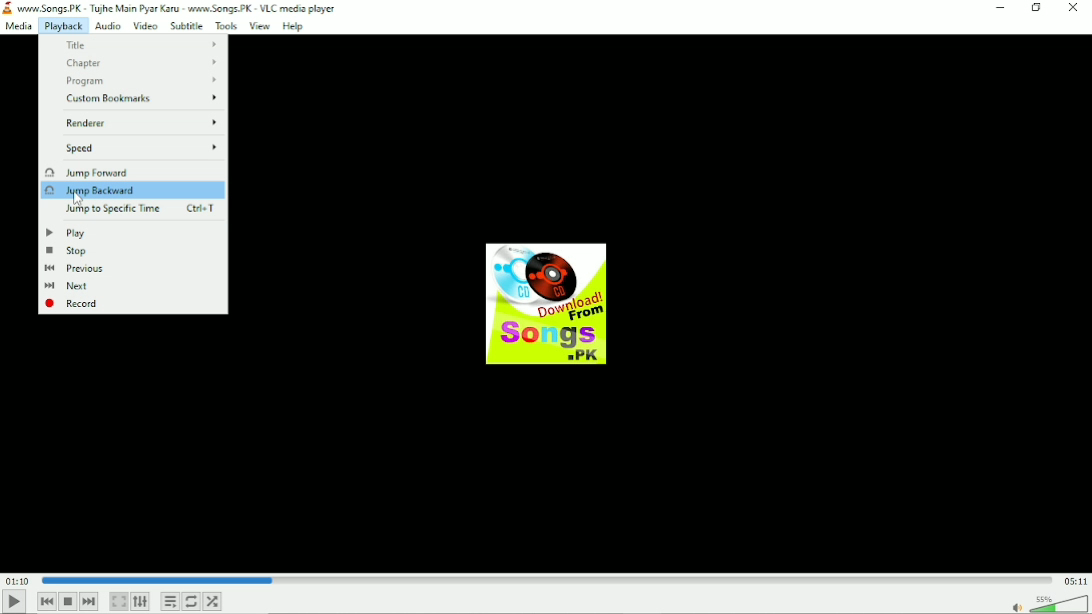 The height and width of the screenshot is (614, 1092). I want to click on cursor, so click(78, 199).